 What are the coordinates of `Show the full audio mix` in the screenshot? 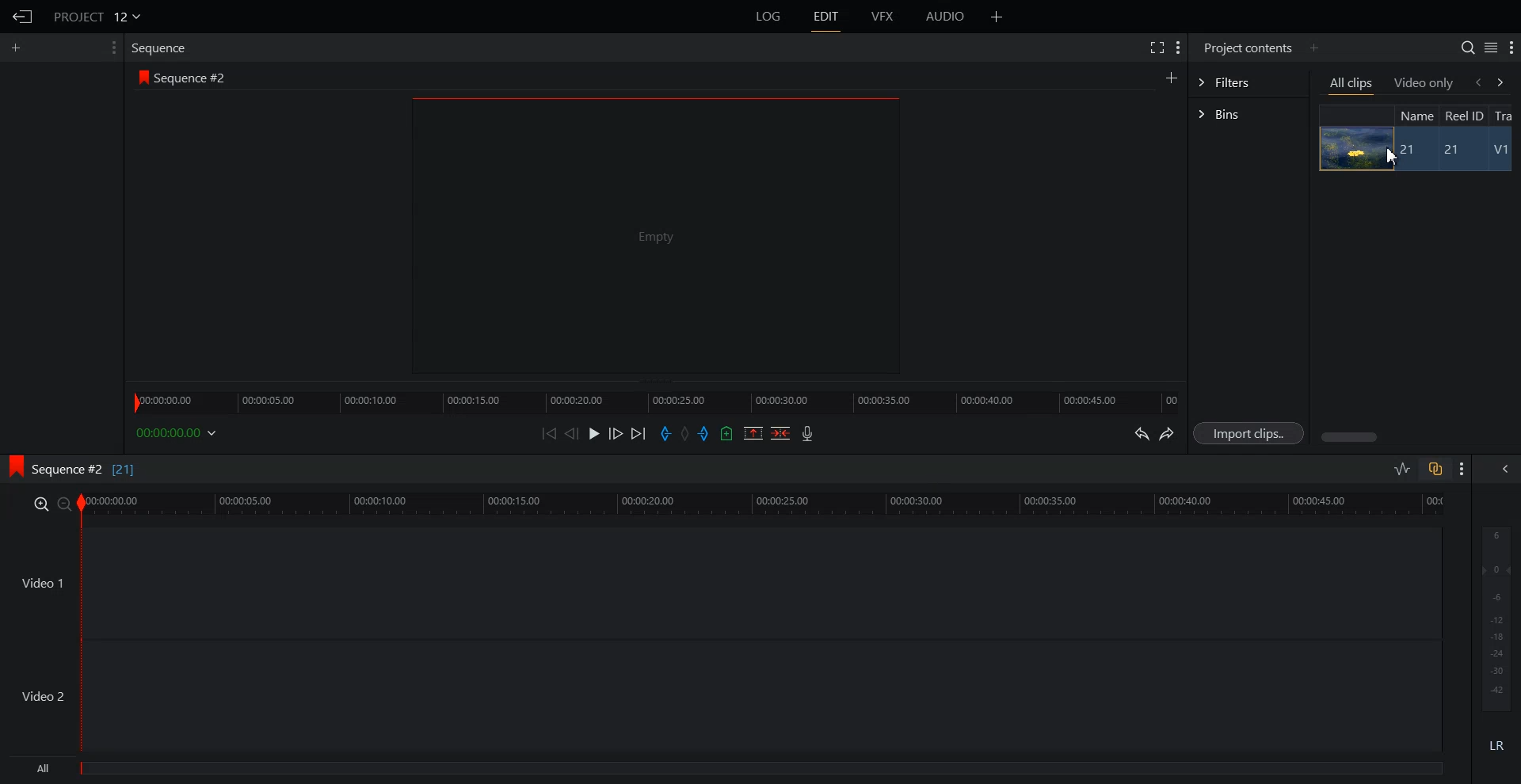 It's located at (1501, 469).